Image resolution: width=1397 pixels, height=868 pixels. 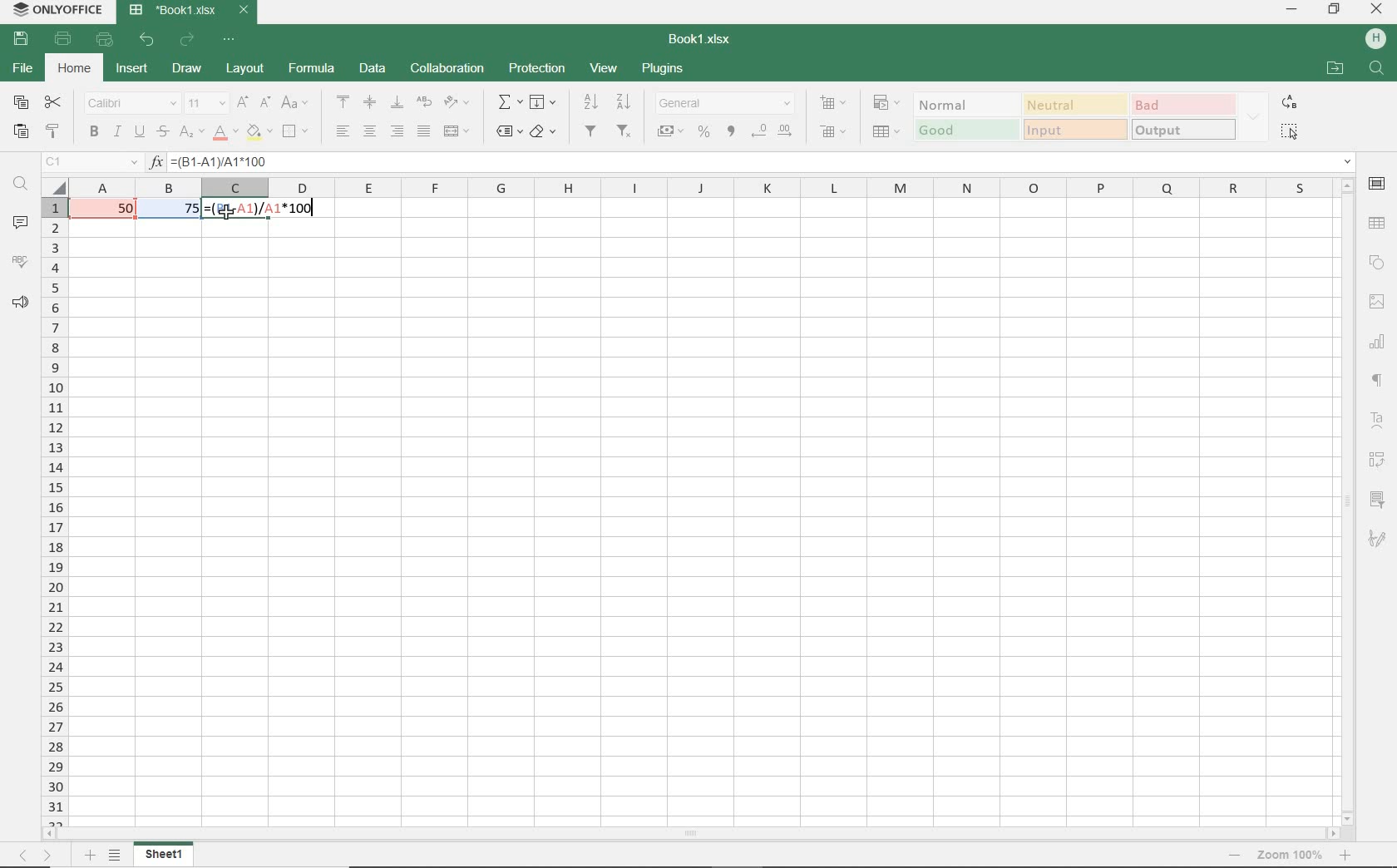 What do you see at coordinates (544, 103) in the screenshot?
I see `fill` at bounding box center [544, 103].